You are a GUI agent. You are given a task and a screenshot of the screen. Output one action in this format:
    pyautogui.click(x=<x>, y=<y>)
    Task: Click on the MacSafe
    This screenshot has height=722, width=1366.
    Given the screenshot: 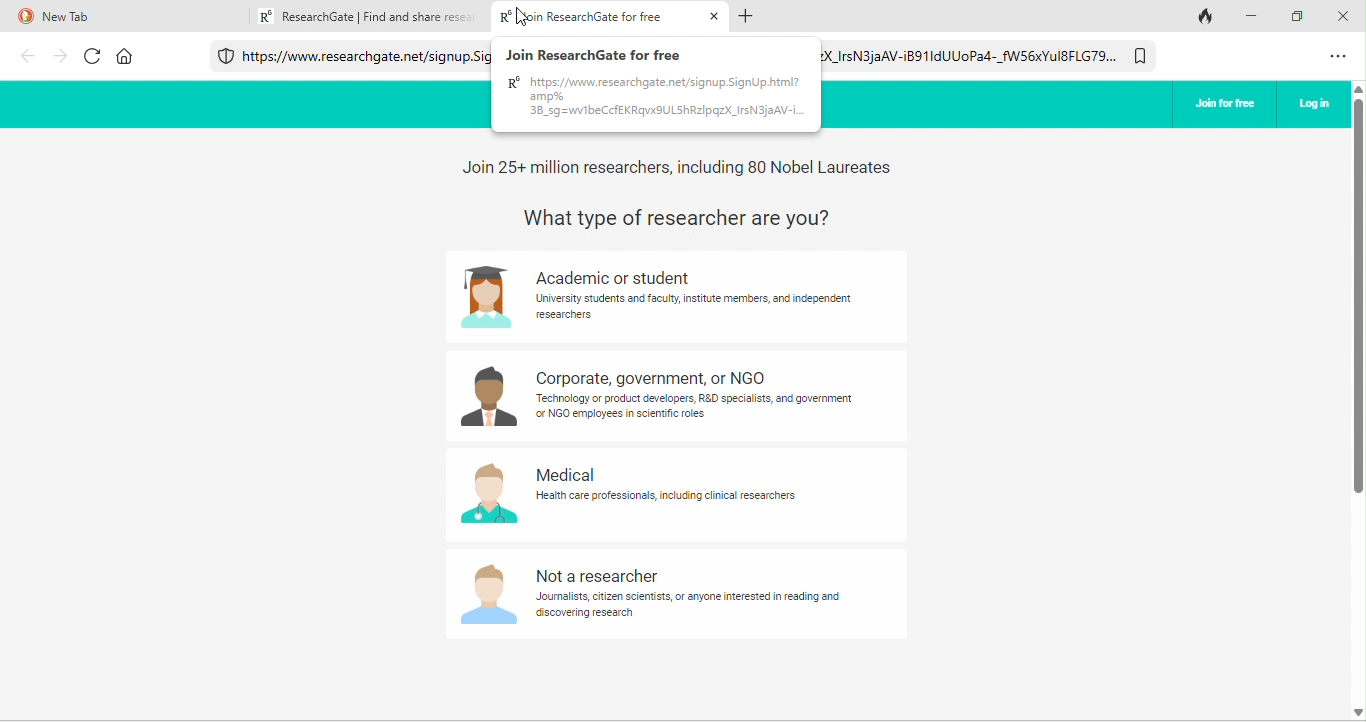 What is the action you would take?
    pyautogui.click(x=226, y=56)
    